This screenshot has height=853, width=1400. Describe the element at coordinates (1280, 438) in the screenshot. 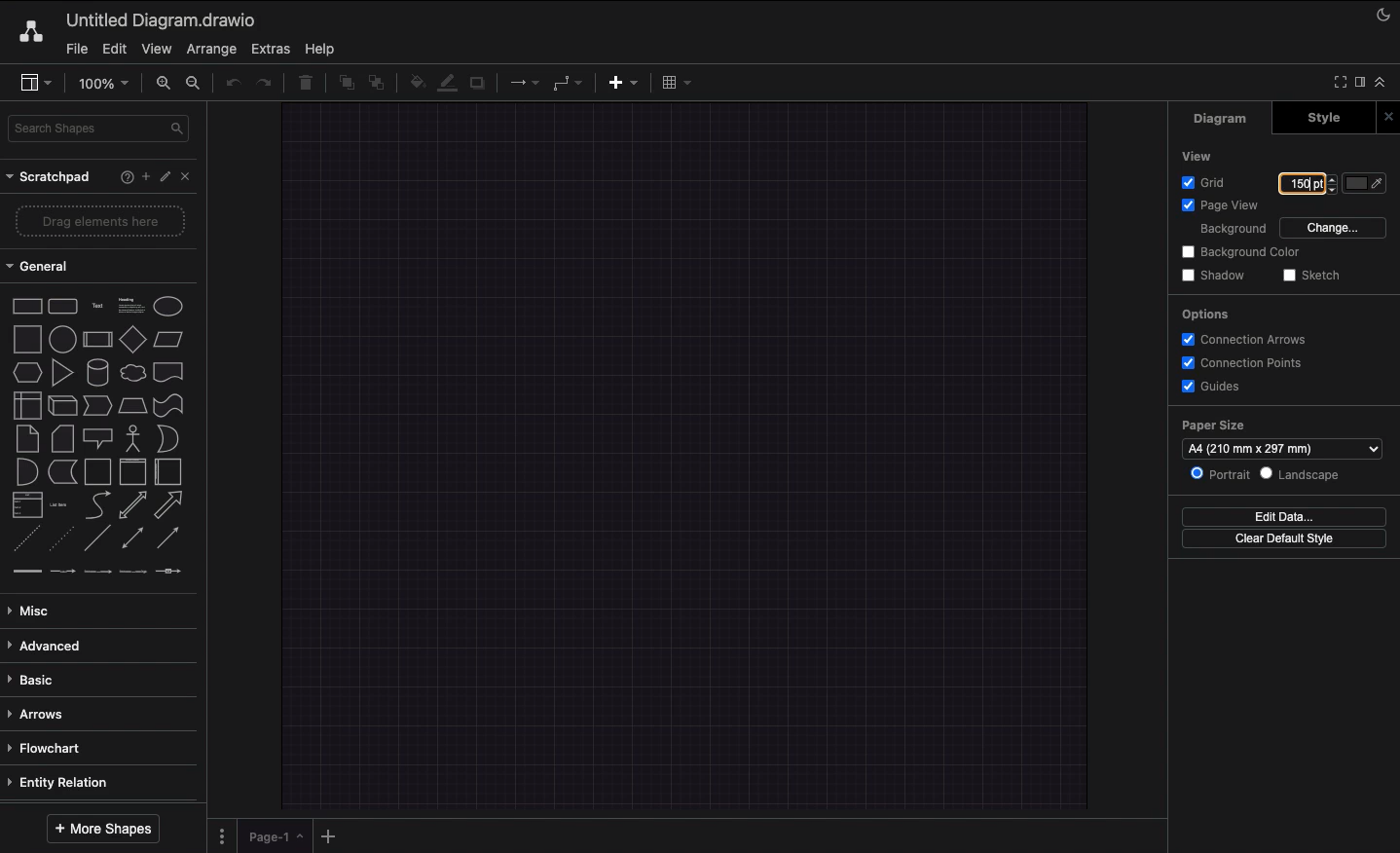

I see `Paper size` at that location.